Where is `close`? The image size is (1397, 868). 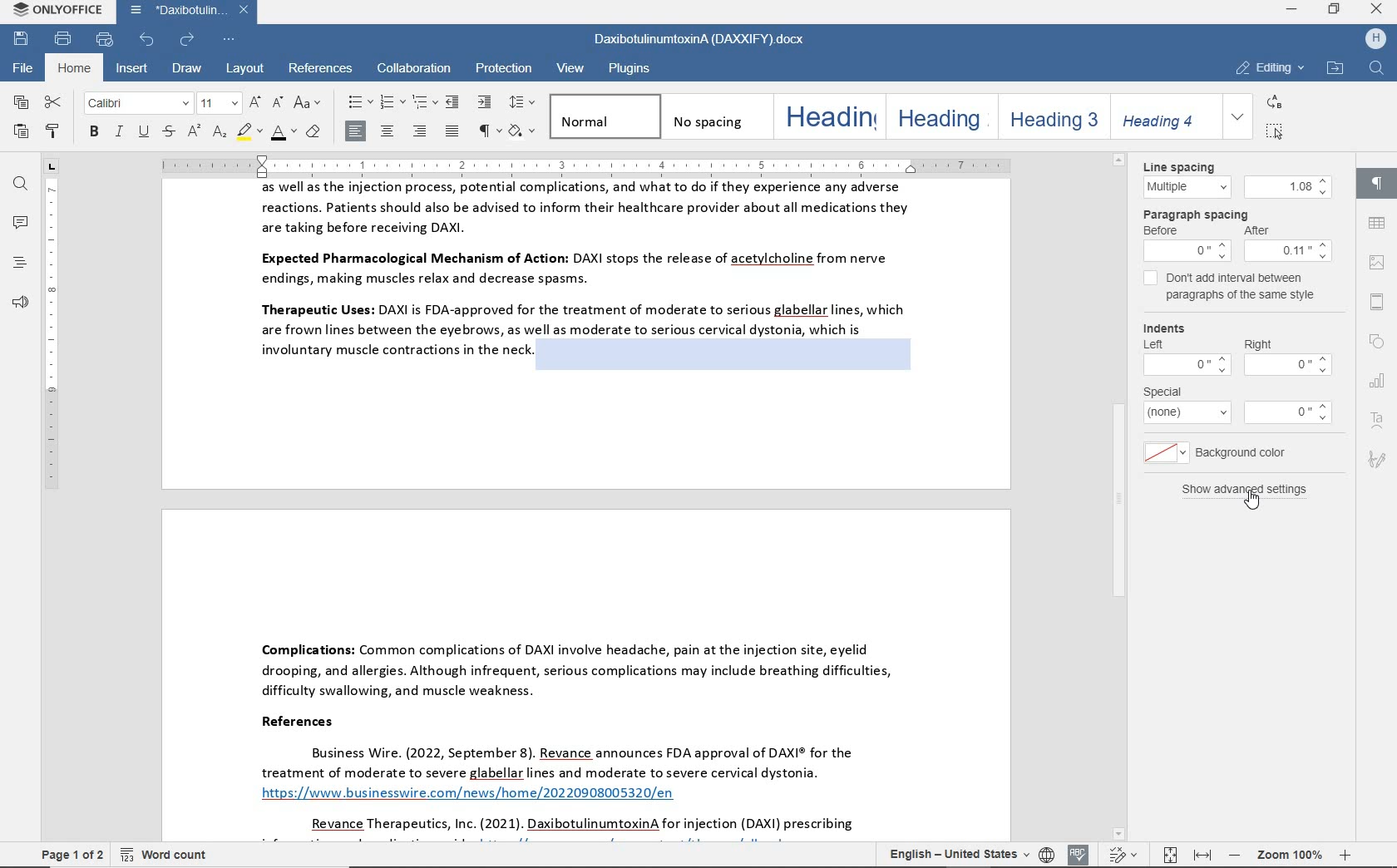
close is located at coordinates (1378, 9).